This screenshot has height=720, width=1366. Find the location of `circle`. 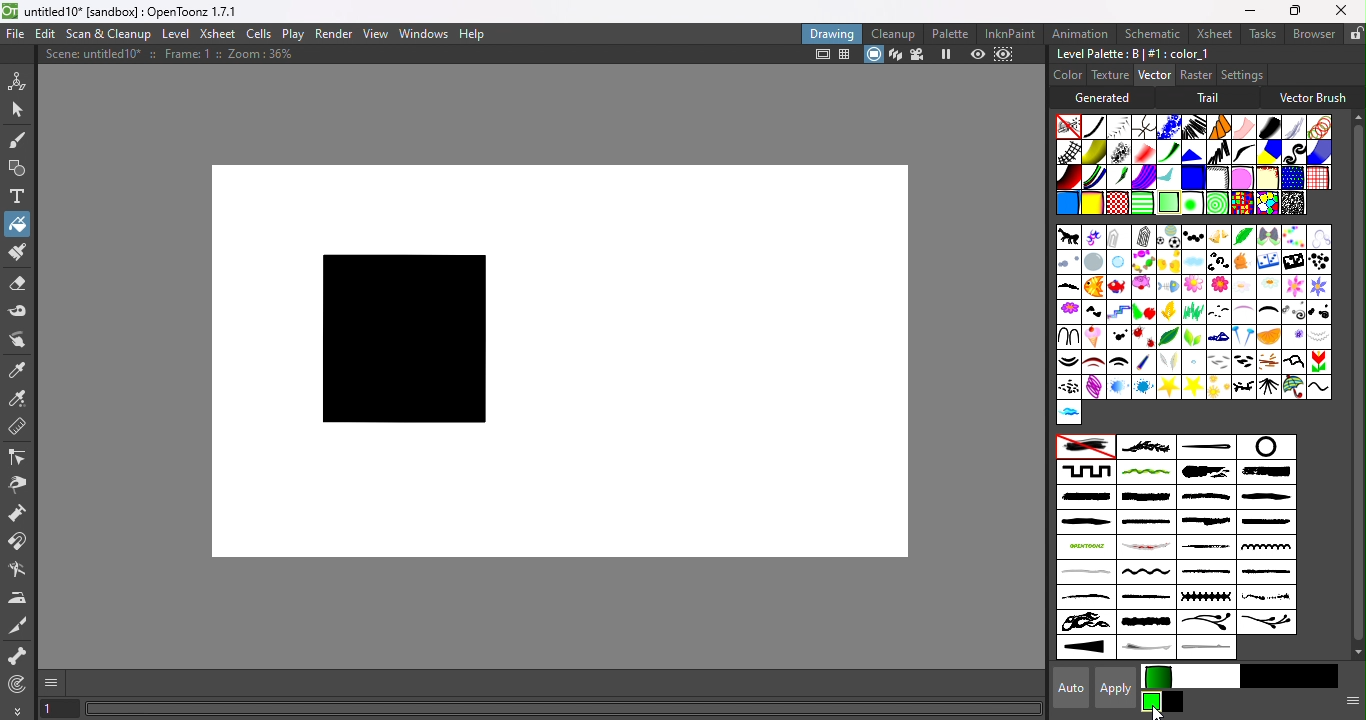

circle is located at coordinates (1264, 447).